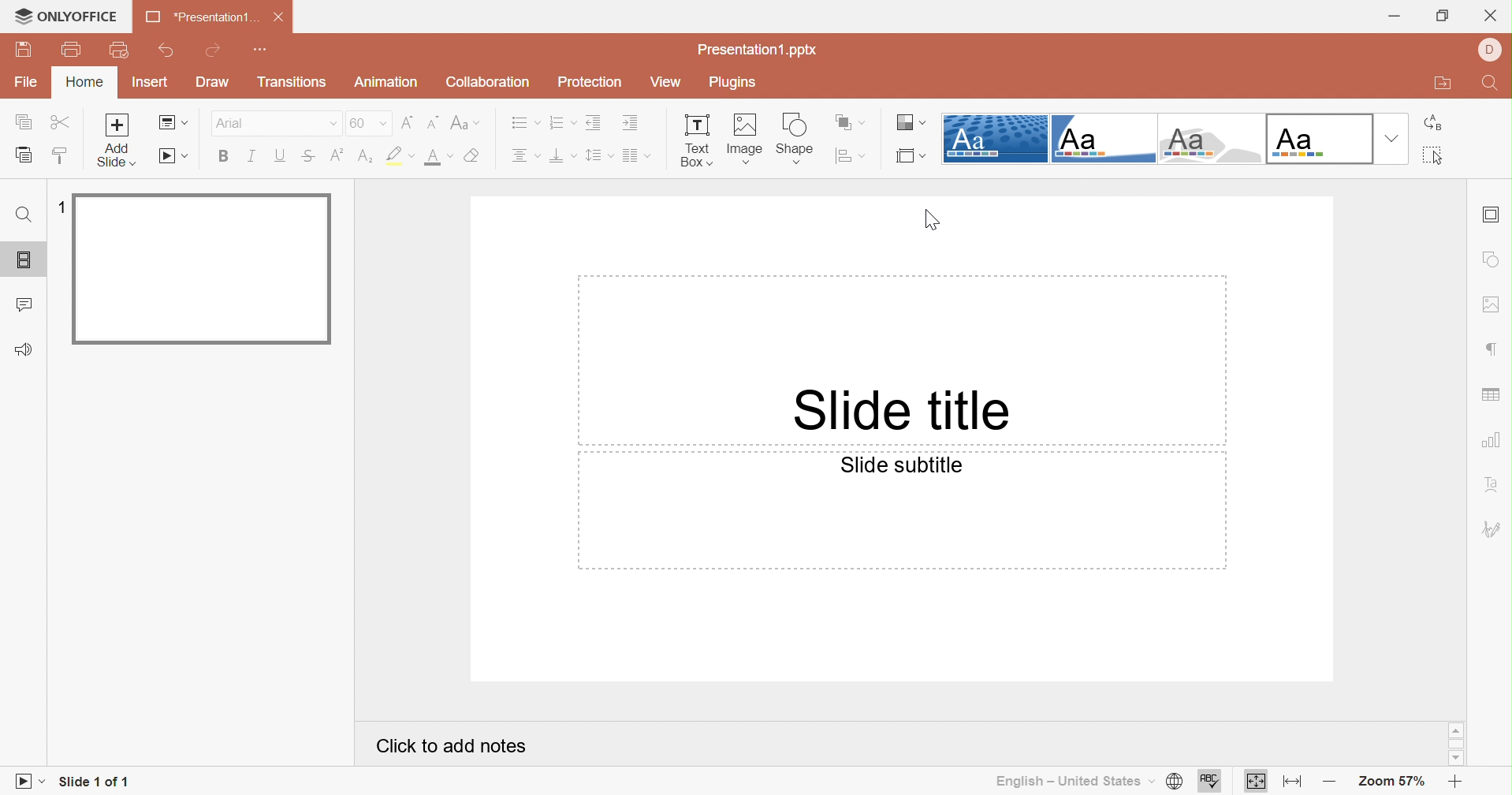  What do you see at coordinates (24, 215) in the screenshot?
I see `Find` at bounding box center [24, 215].